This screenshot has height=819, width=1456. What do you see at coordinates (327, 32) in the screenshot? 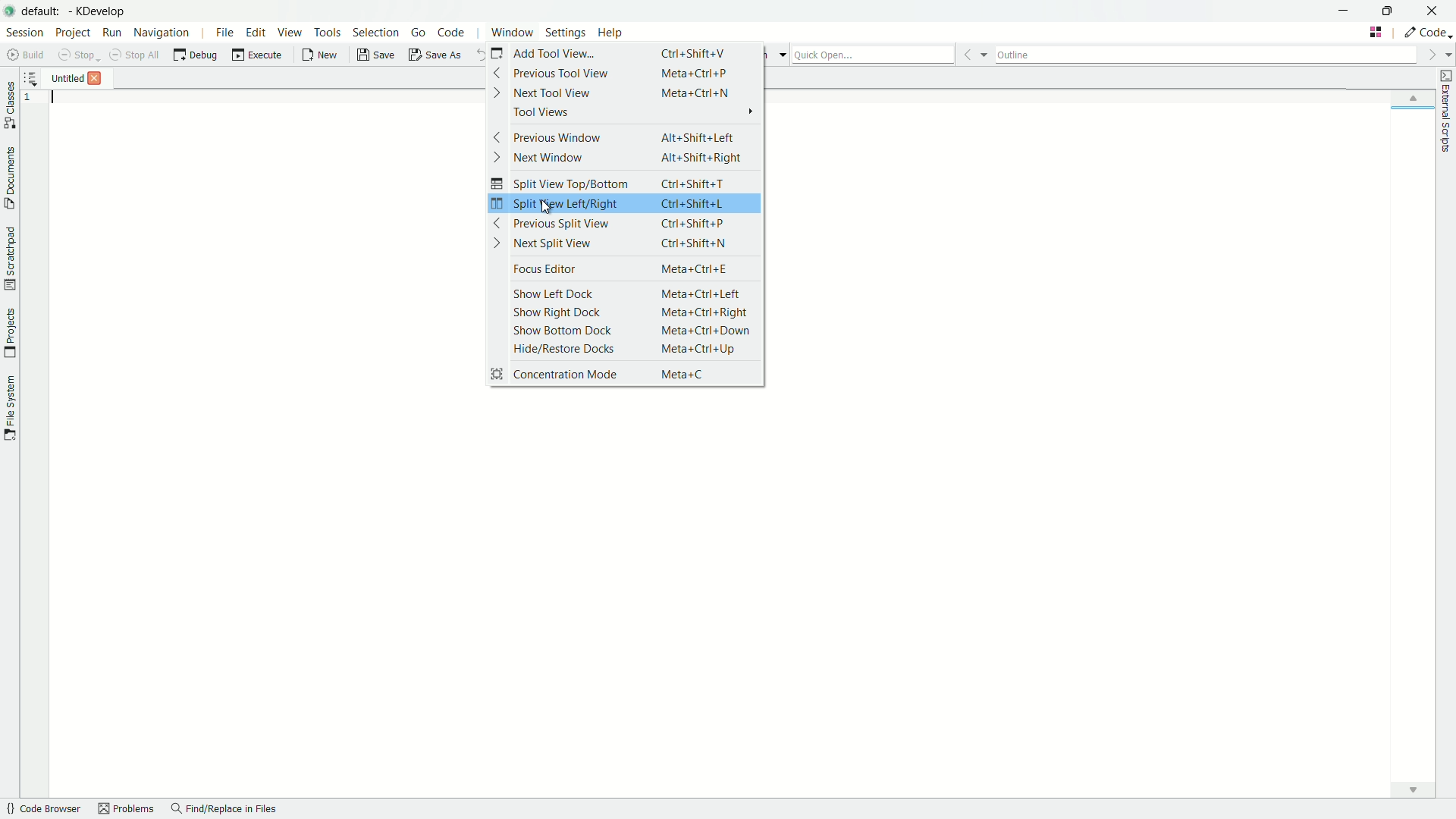
I see `tools menu` at bounding box center [327, 32].